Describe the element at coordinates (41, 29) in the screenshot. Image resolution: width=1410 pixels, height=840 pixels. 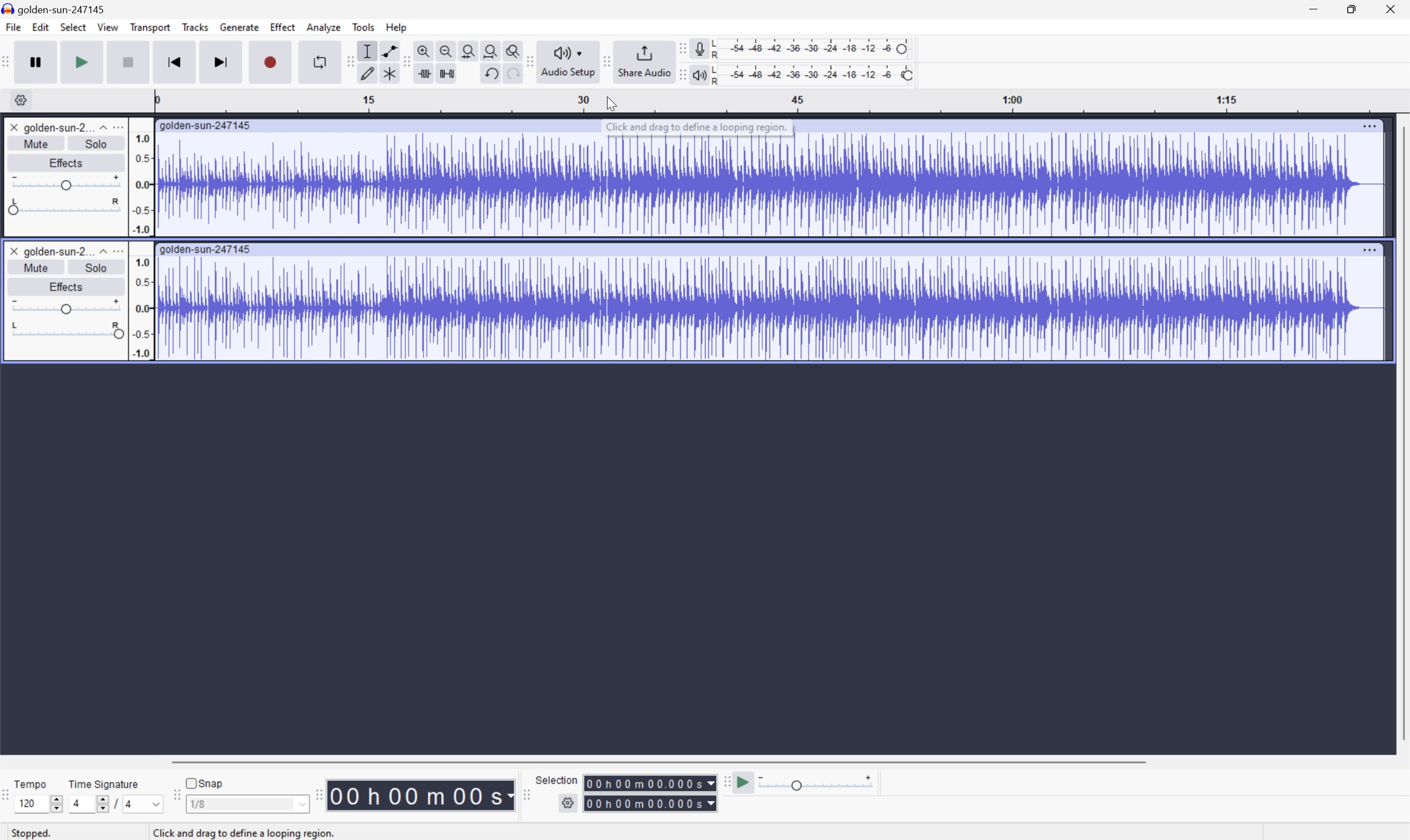
I see `Edit` at that location.